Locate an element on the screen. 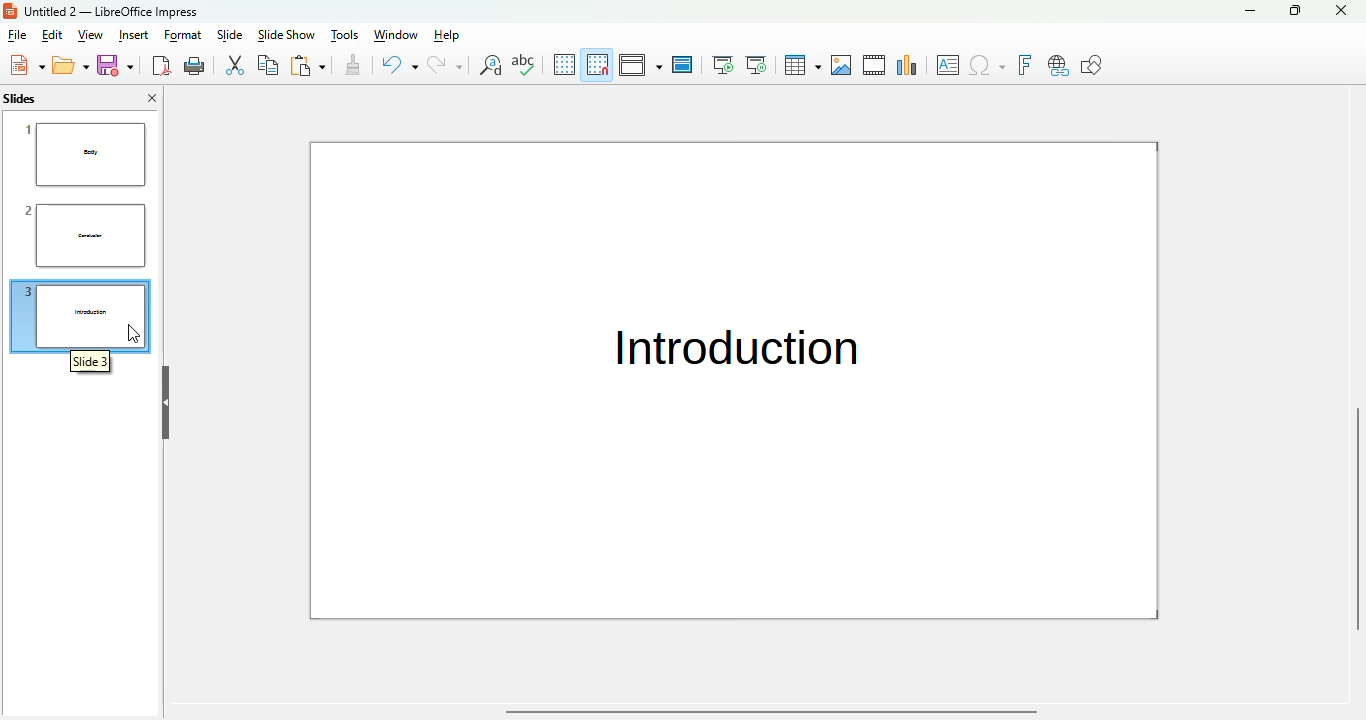 The image size is (1366, 720). slide 2 is located at coordinates (79, 236).